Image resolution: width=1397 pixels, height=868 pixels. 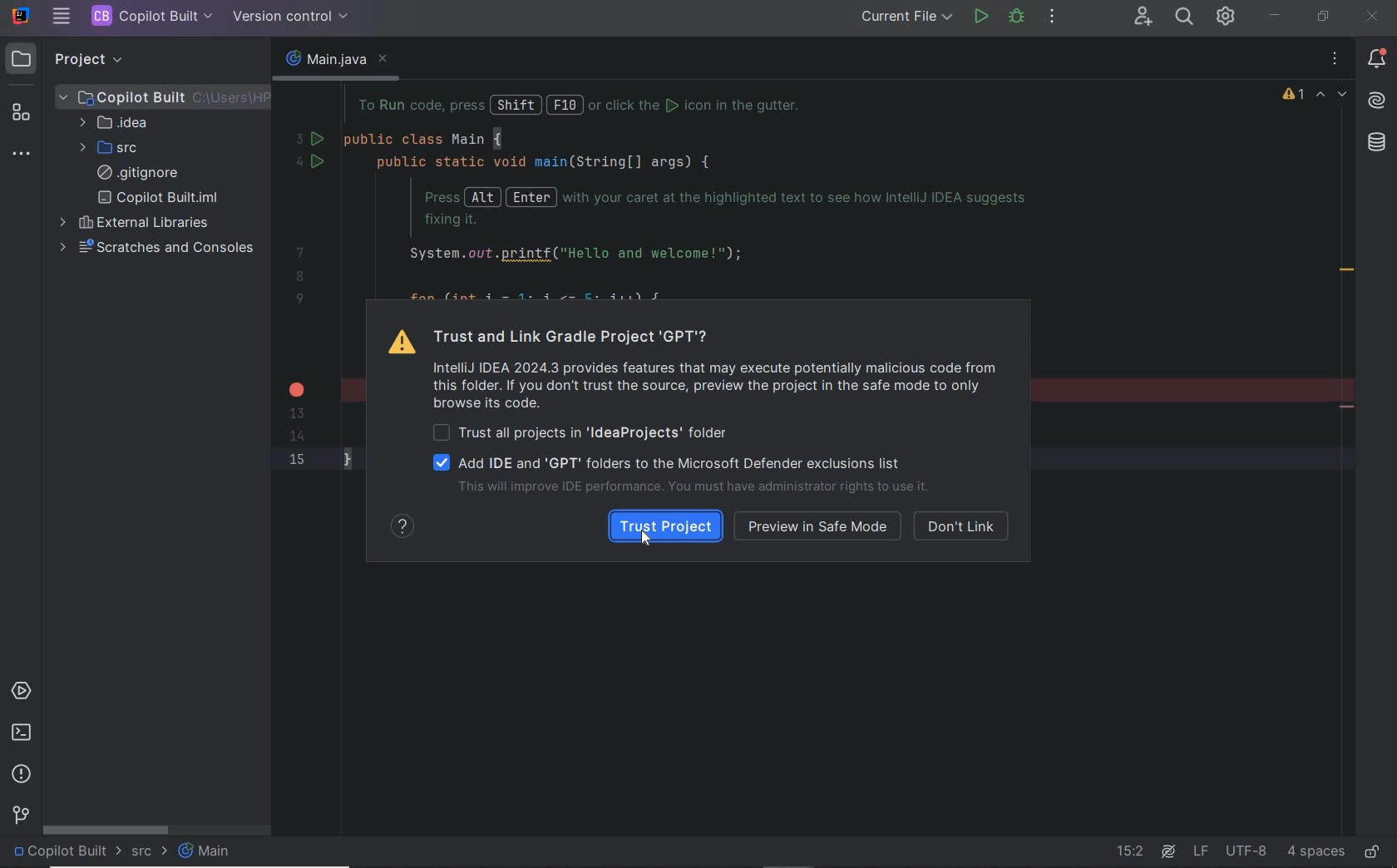 What do you see at coordinates (298, 459) in the screenshot?
I see `15` at bounding box center [298, 459].